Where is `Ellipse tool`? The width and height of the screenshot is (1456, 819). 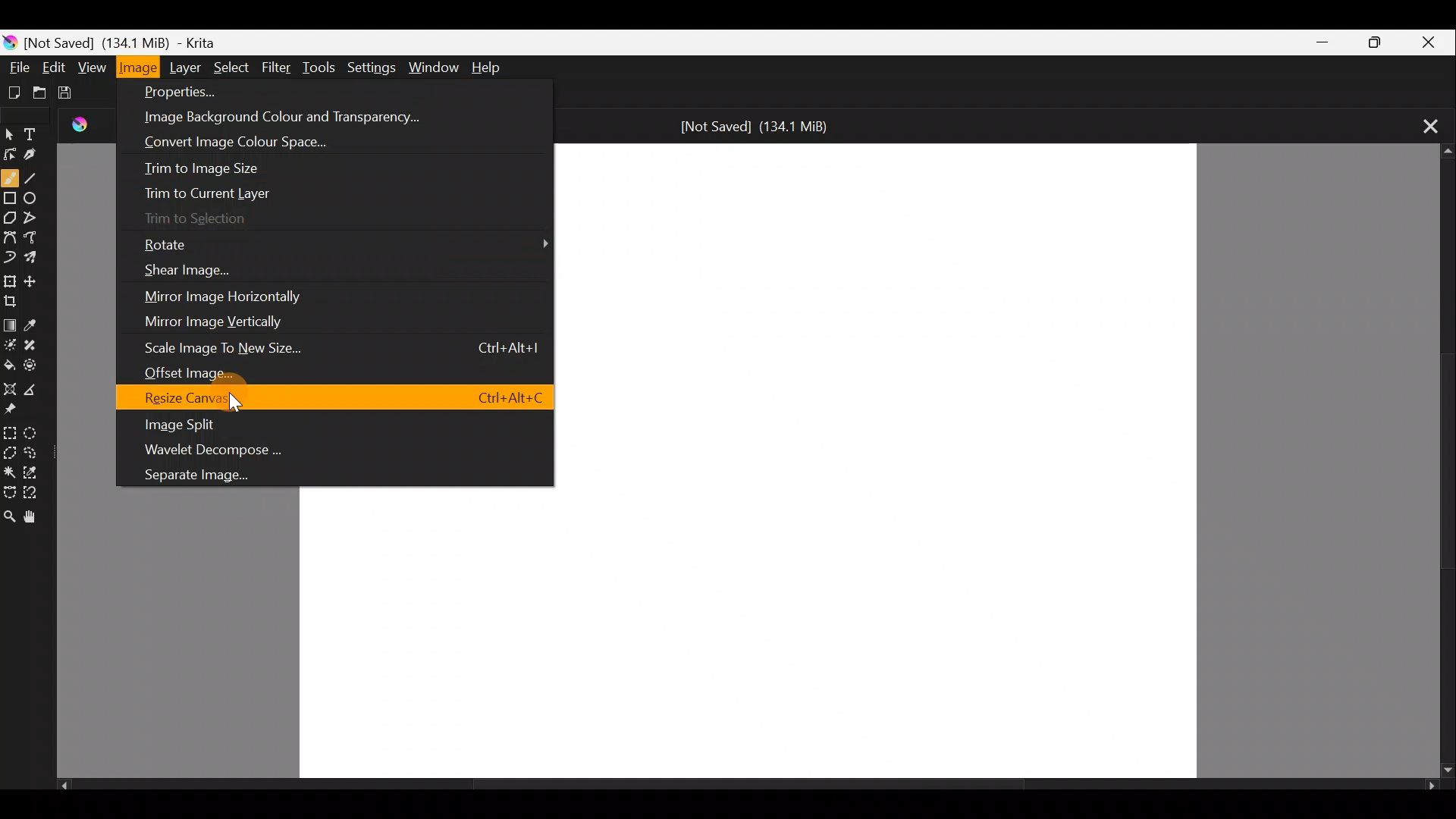 Ellipse tool is located at coordinates (35, 196).